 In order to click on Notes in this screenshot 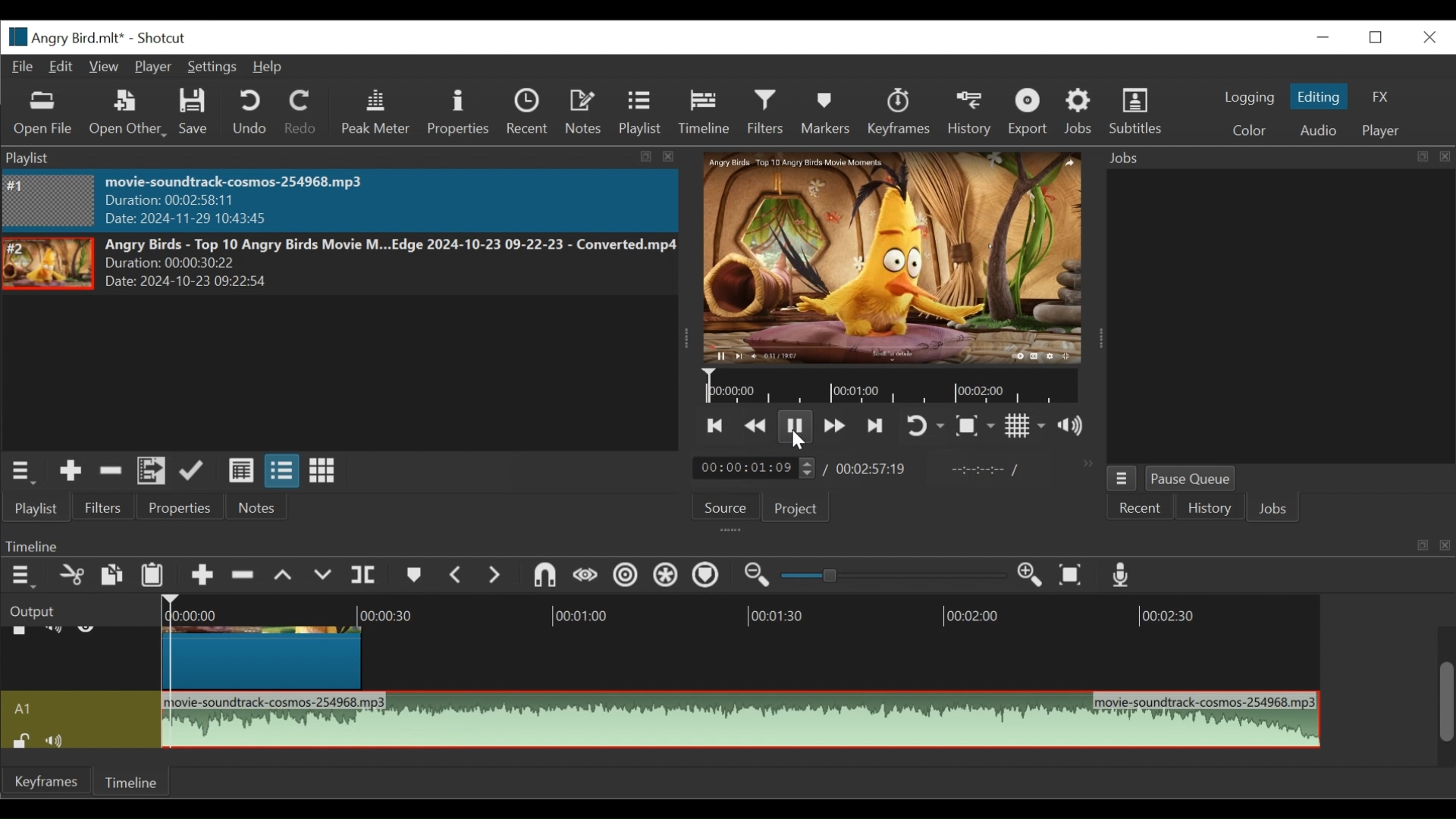, I will do `click(256, 508)`.